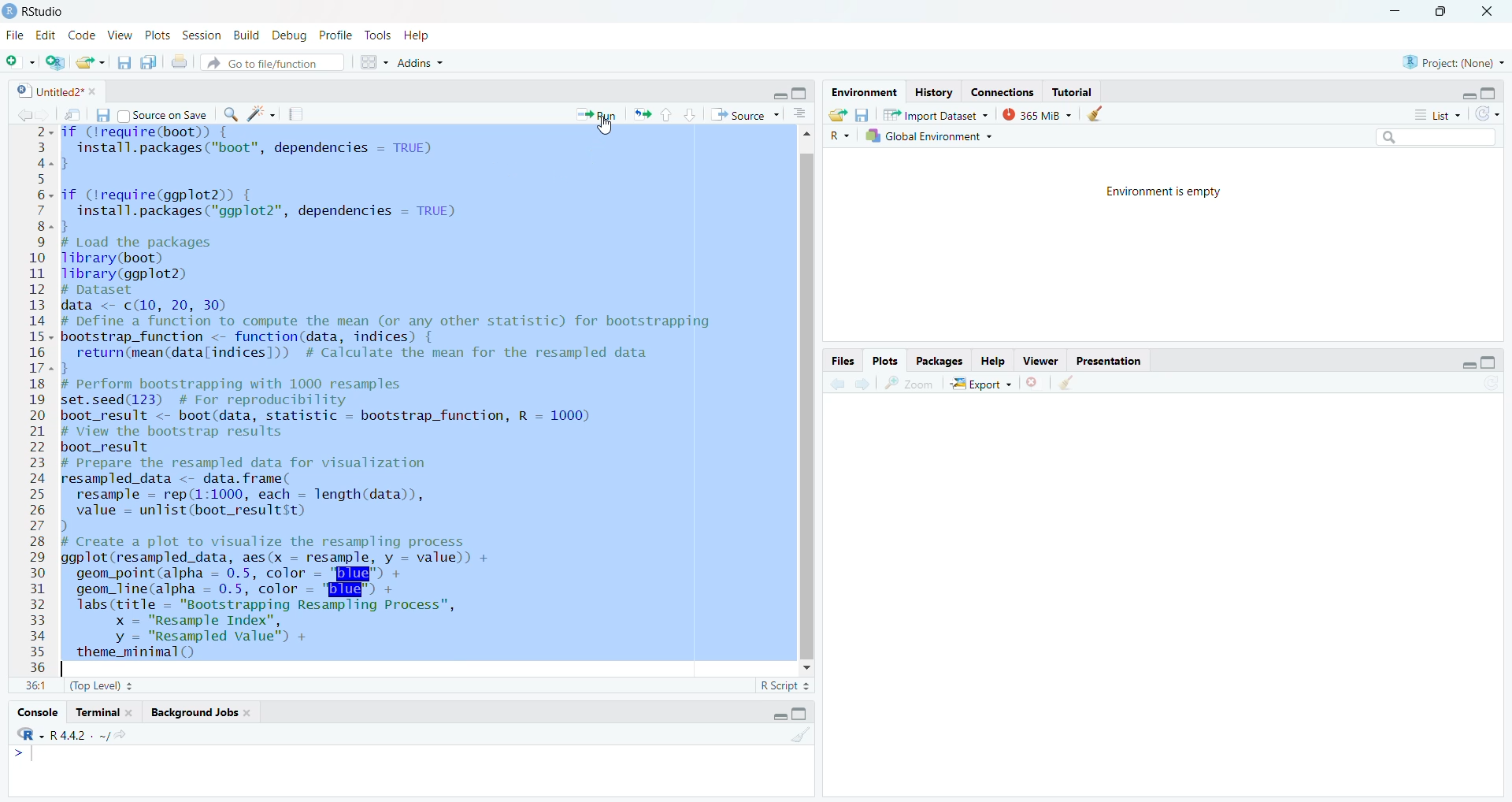  What do you see at coordinates (46, 114) in the screenshot?
I see `go back to the next source location` at bounding box center [46, 114].